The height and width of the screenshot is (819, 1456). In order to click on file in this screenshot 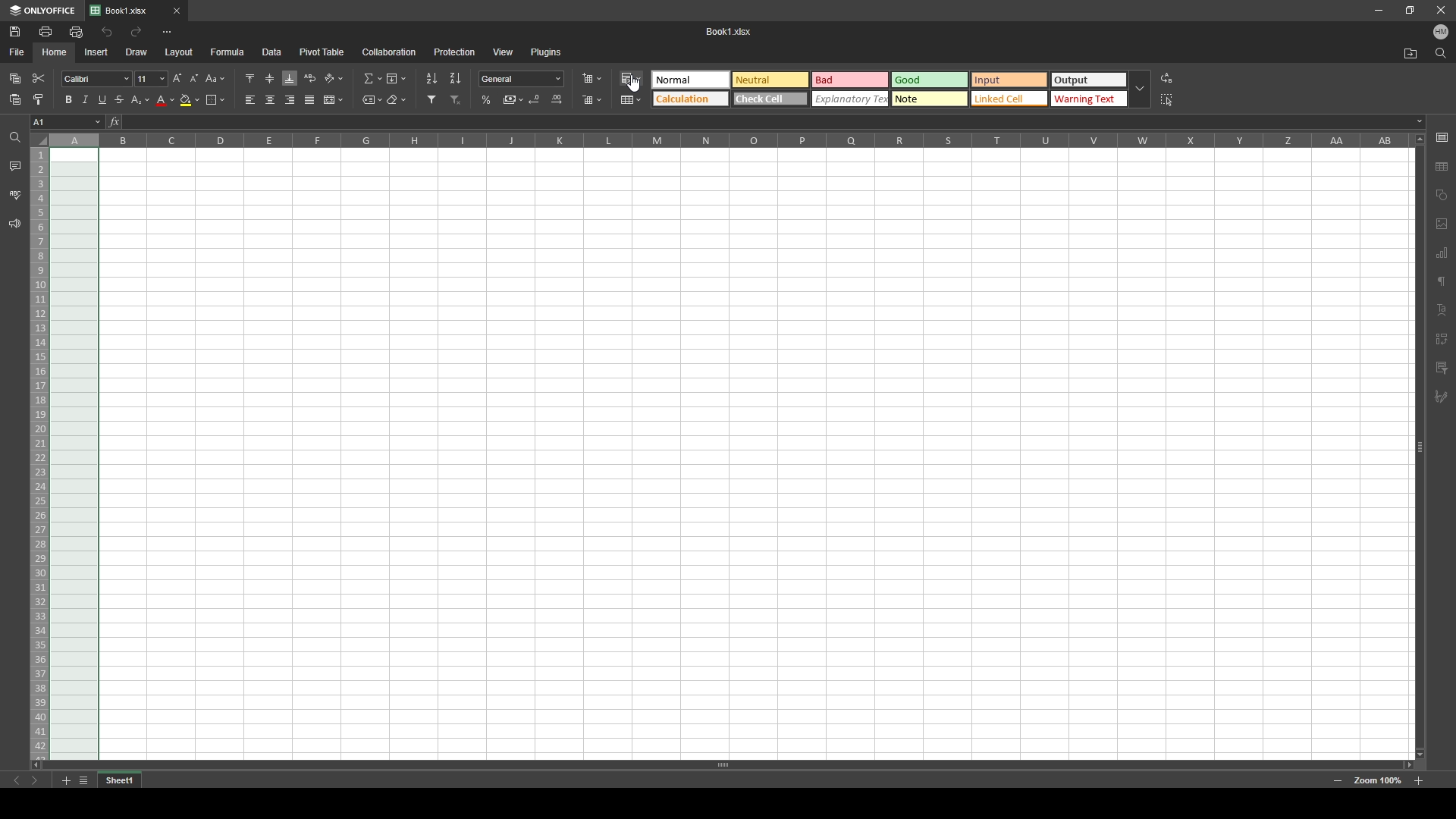, I will do `click(17, 51)`.